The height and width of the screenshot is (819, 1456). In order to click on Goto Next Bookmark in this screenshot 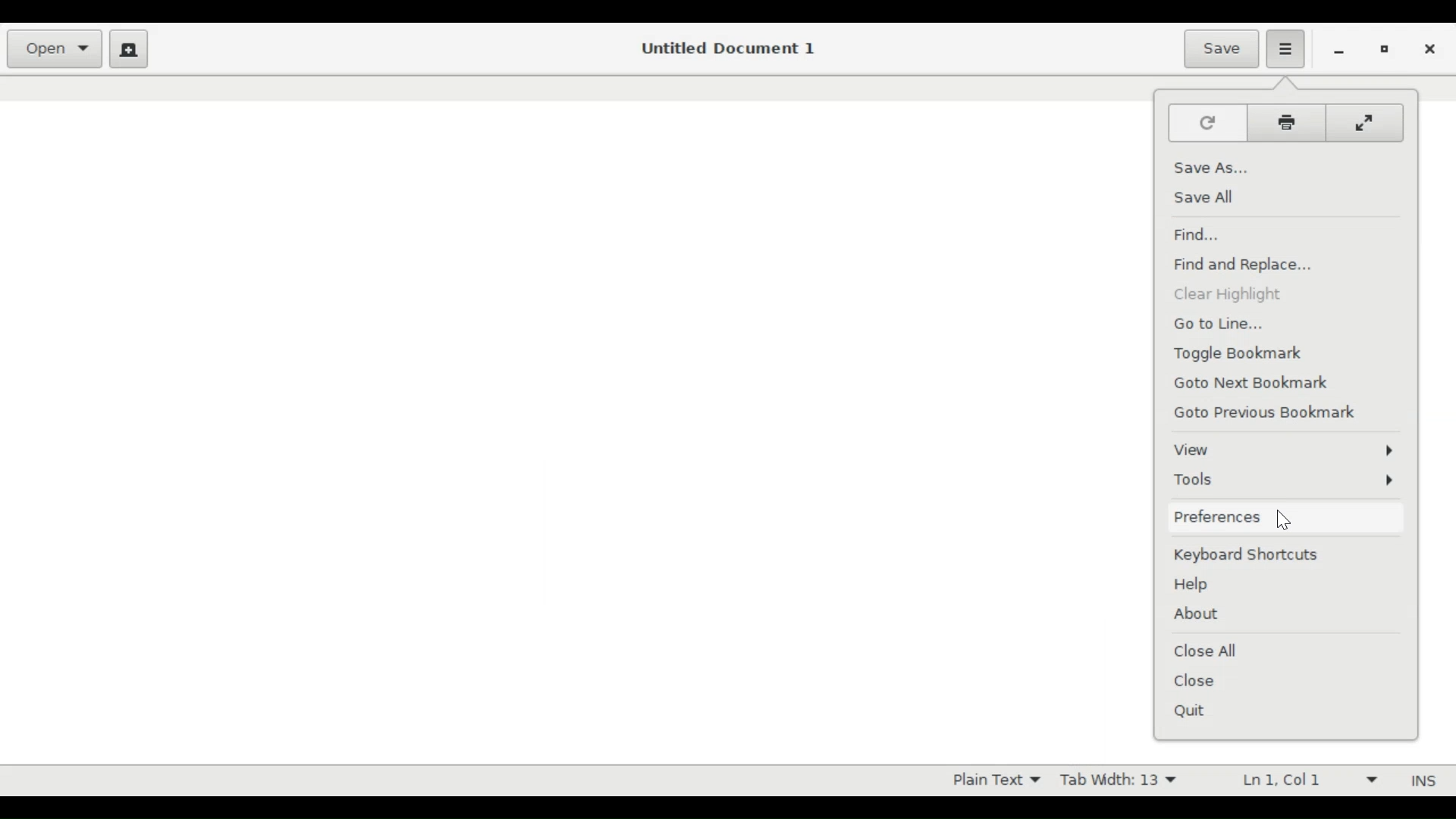, I will do `click(1255, 384)`.